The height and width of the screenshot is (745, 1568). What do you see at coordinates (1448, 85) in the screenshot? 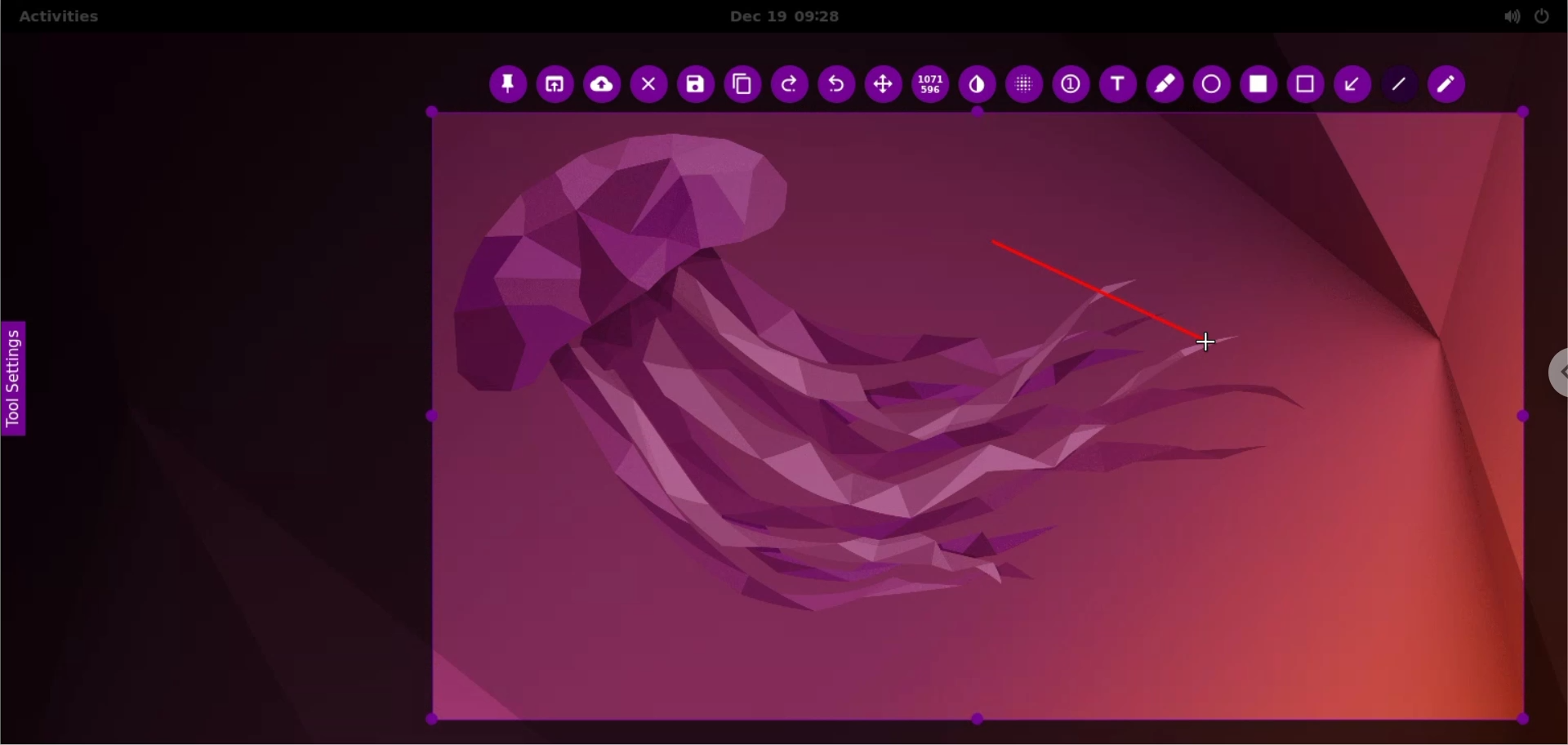
I see `pencil` at bounding box center [1448, 85].